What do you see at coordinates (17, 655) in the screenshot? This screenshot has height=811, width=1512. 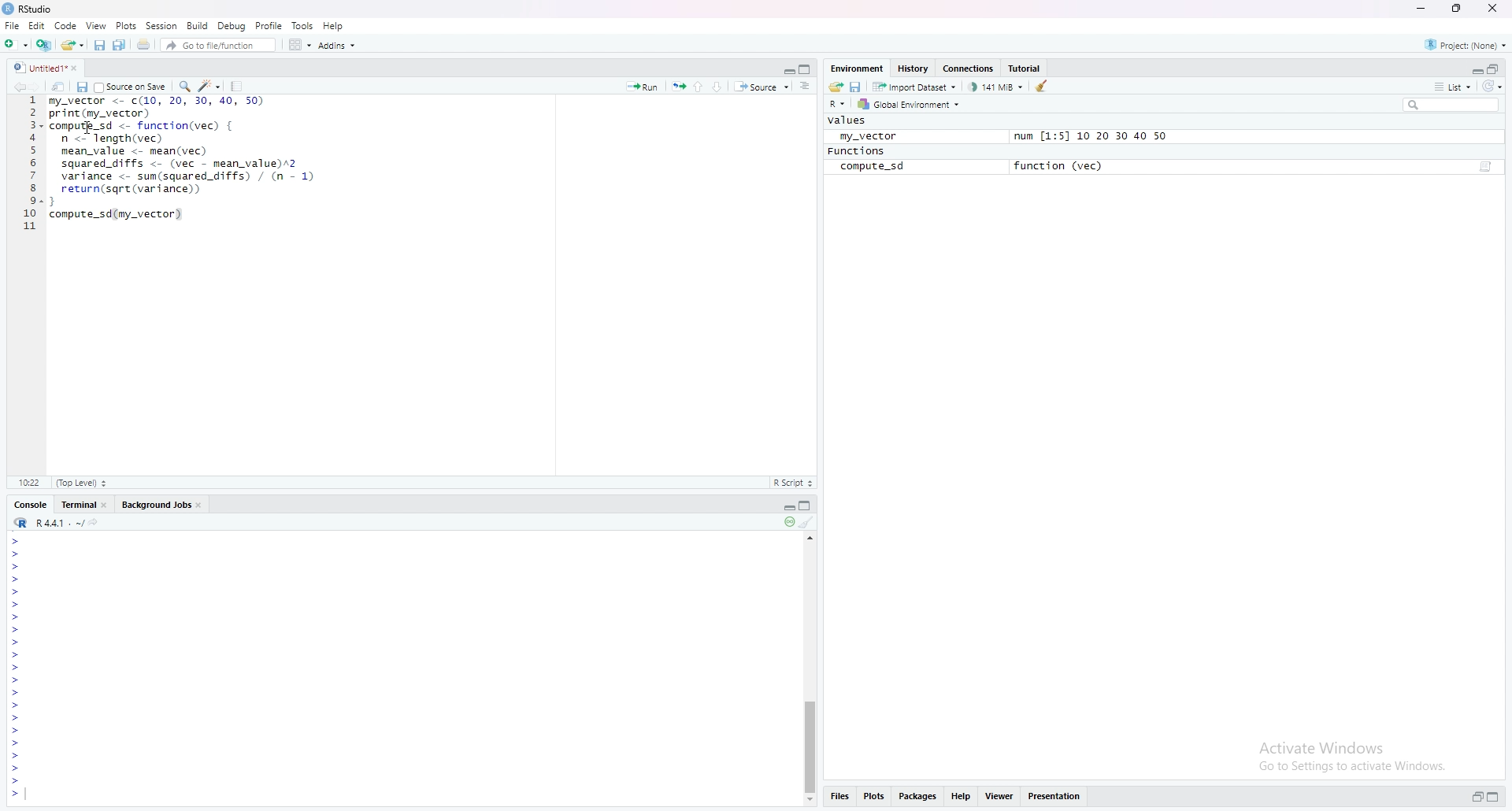 I see `Prompt cursor` at bounding box center [17, 655].